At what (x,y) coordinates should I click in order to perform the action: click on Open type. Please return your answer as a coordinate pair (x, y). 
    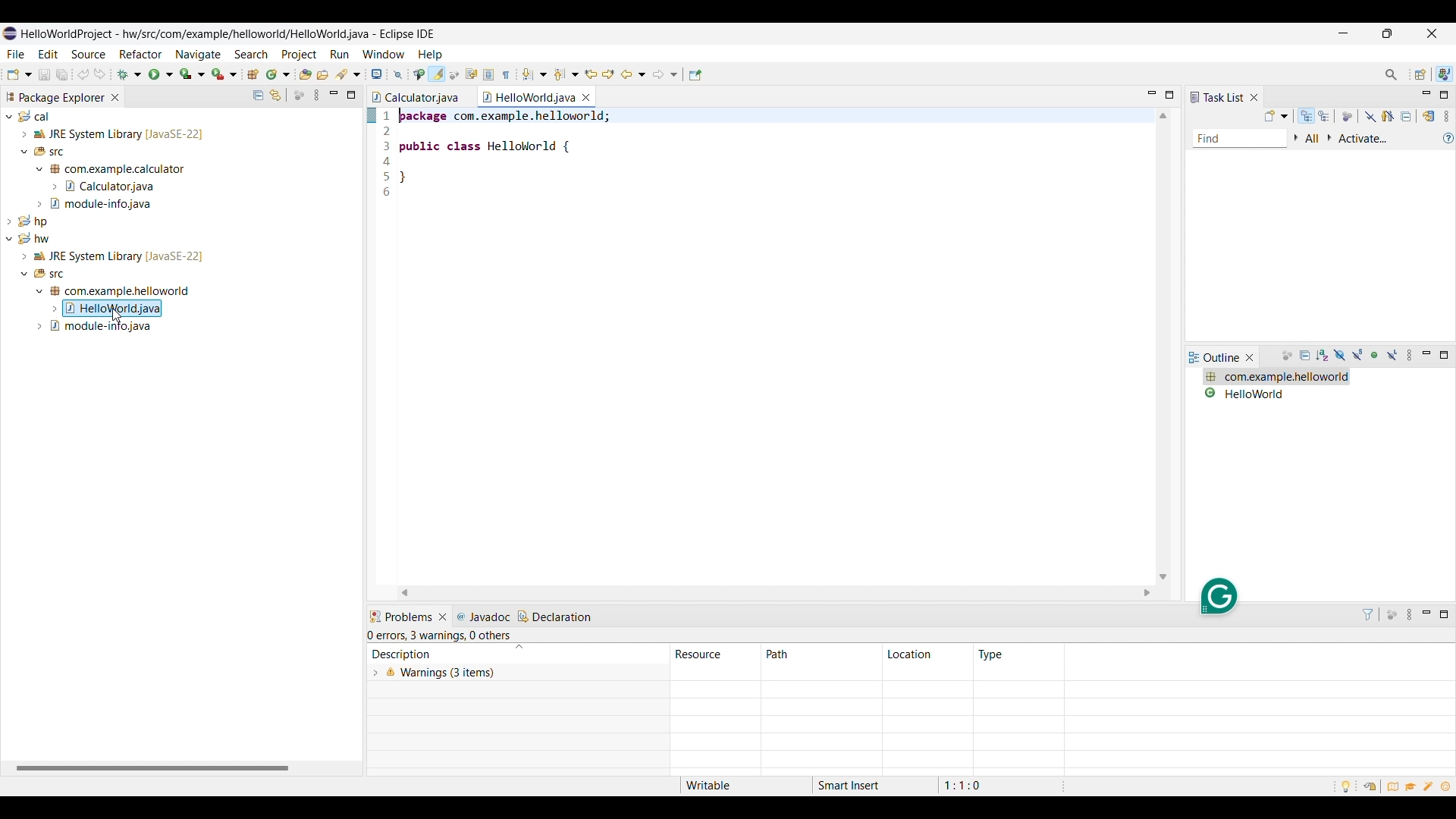
    Looking at the image, I should click on (306, 74).